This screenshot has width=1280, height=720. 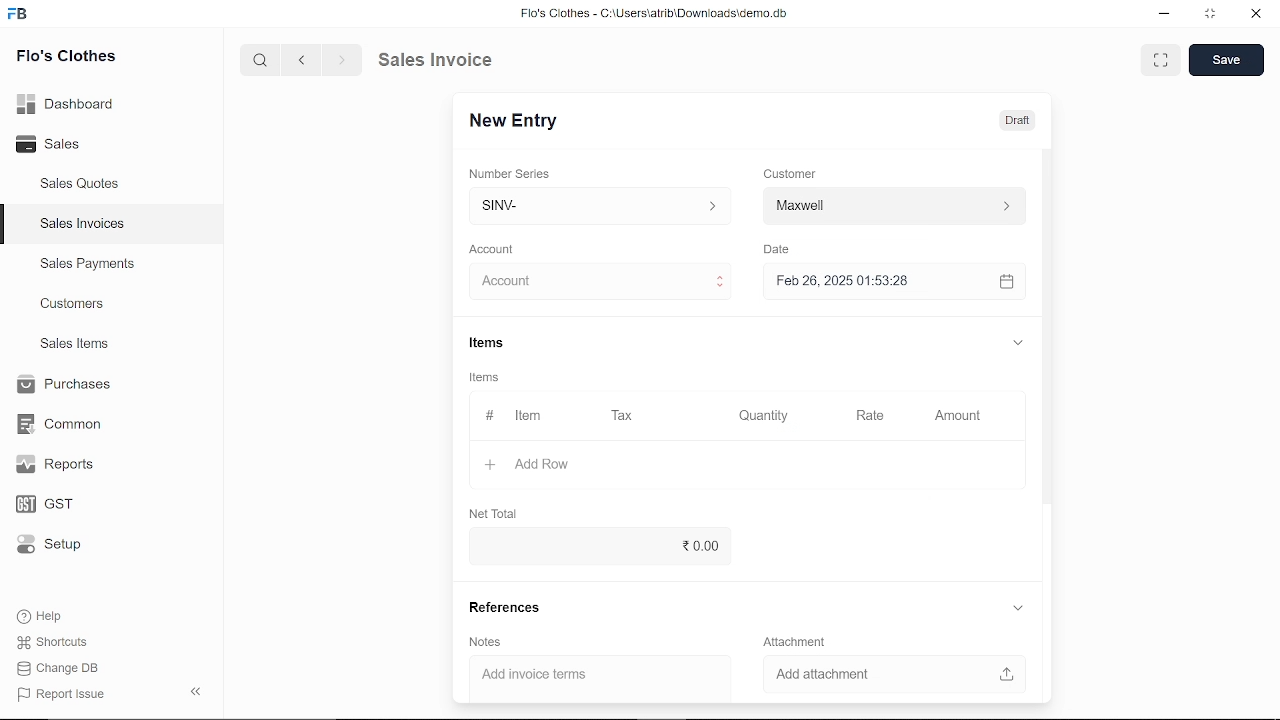 I want to click on , so click(x=487, y=379).